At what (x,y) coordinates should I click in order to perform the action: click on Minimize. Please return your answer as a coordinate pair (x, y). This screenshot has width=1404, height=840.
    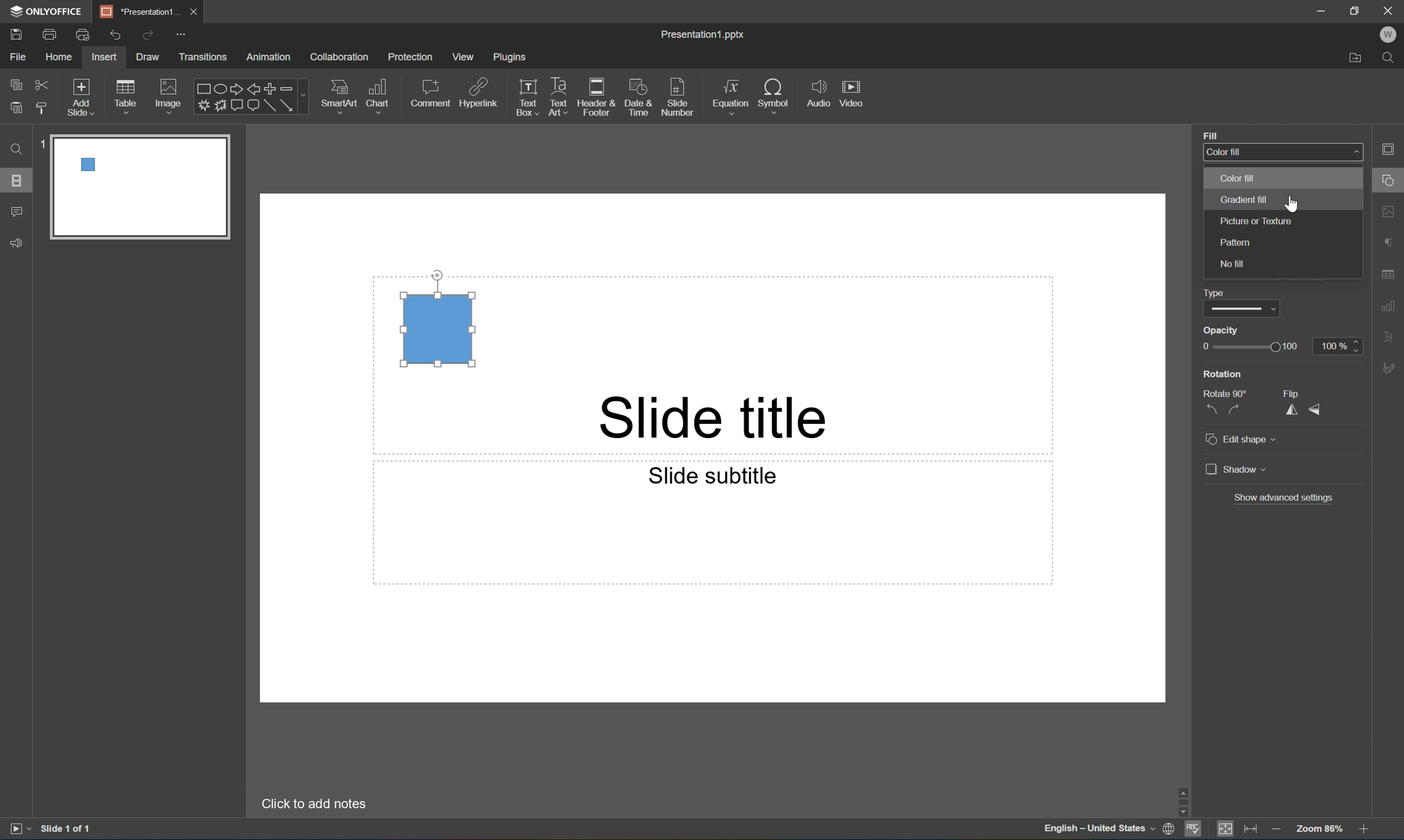
    Looking at the image, I should click on (1321, 9).